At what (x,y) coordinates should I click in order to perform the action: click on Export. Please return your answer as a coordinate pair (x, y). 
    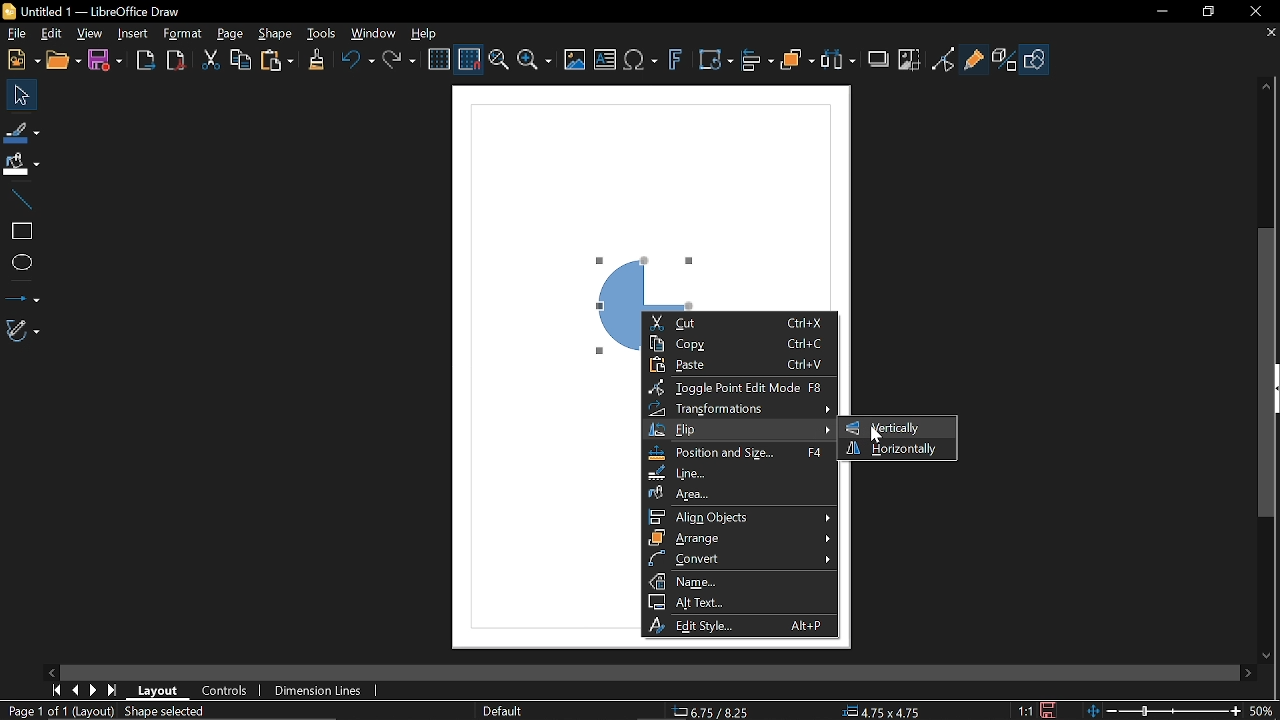
    Looking at the image, I should click on (146, 59).